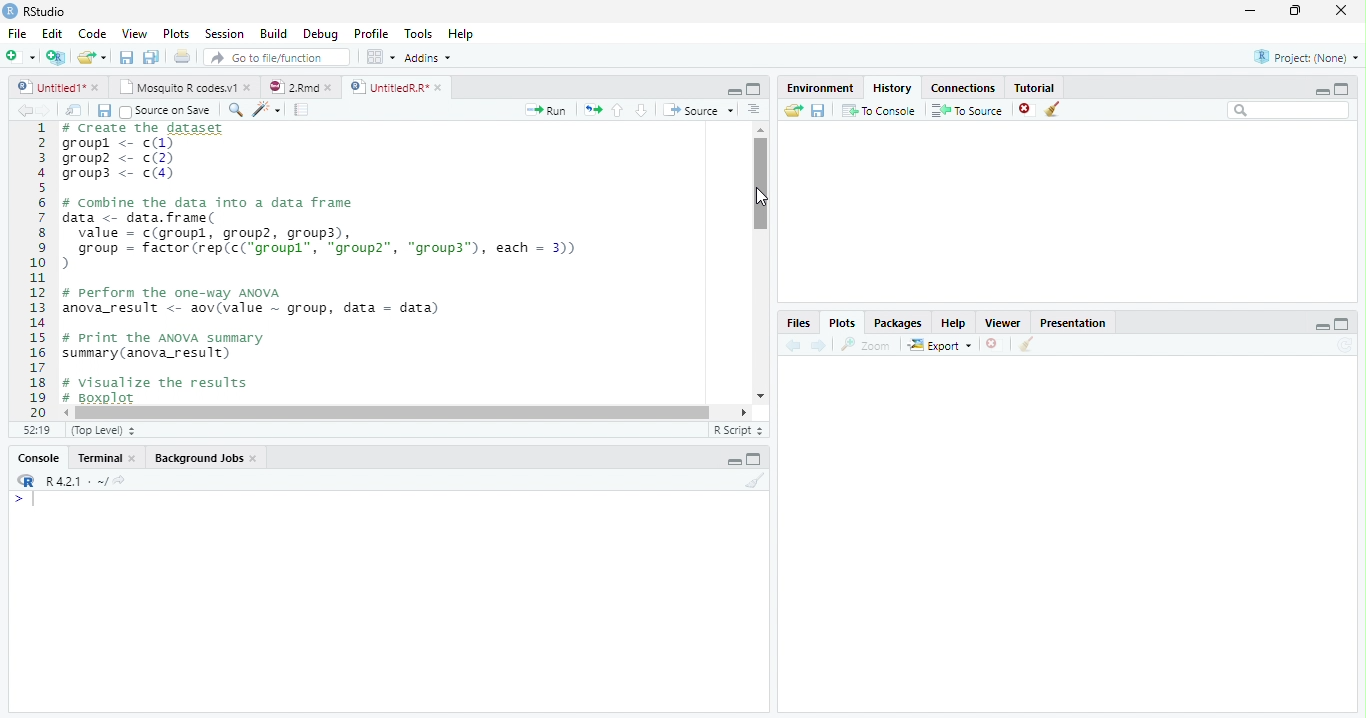 This screenshot has height=718, width=1366. I want to click on Tutorial, so click(1036, 86).